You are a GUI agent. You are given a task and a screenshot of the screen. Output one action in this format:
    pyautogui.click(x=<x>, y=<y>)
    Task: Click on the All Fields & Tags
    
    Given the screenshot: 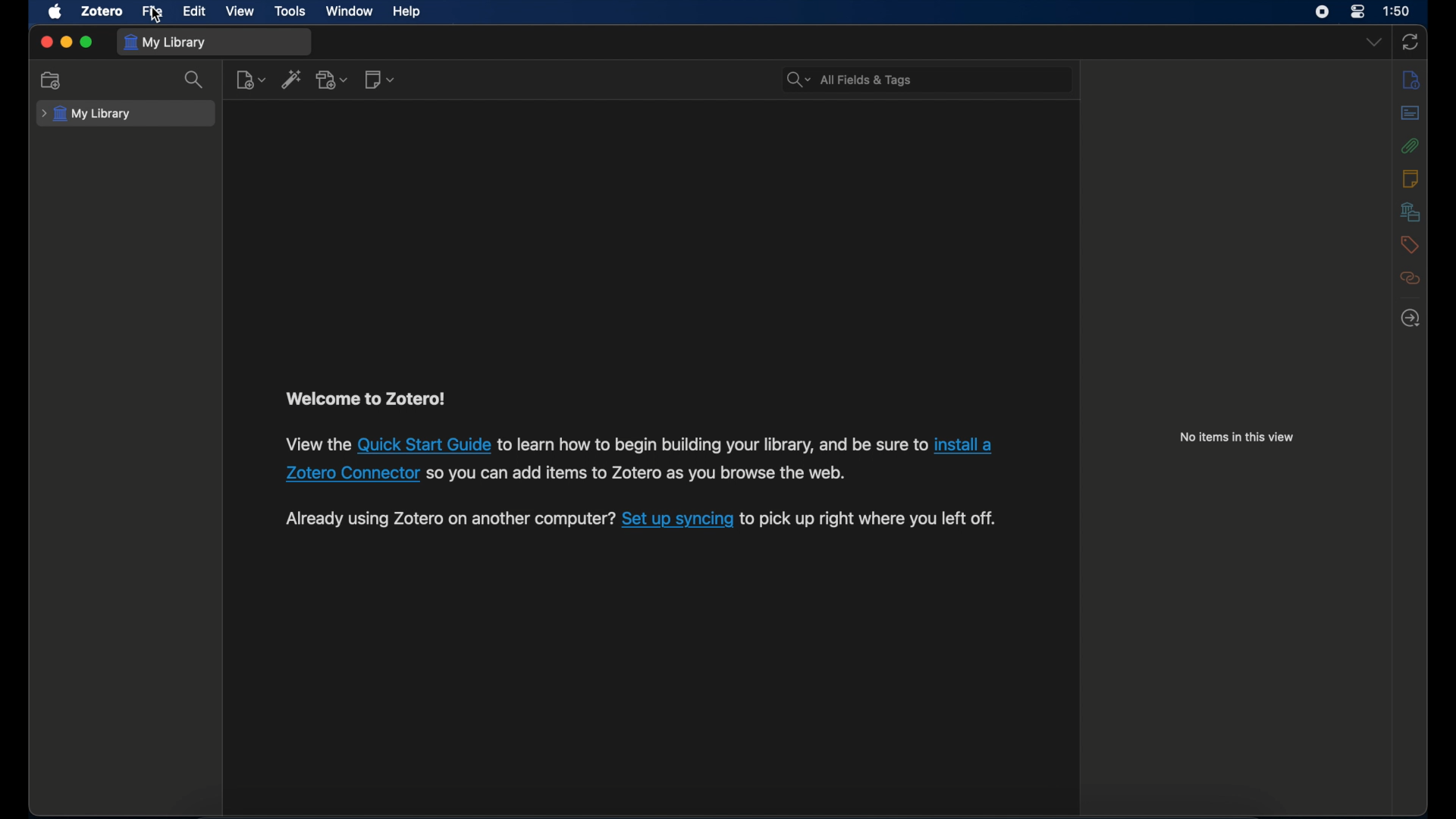 What is the action you would take?
    pyautogui.click(x=927, y=77)
    